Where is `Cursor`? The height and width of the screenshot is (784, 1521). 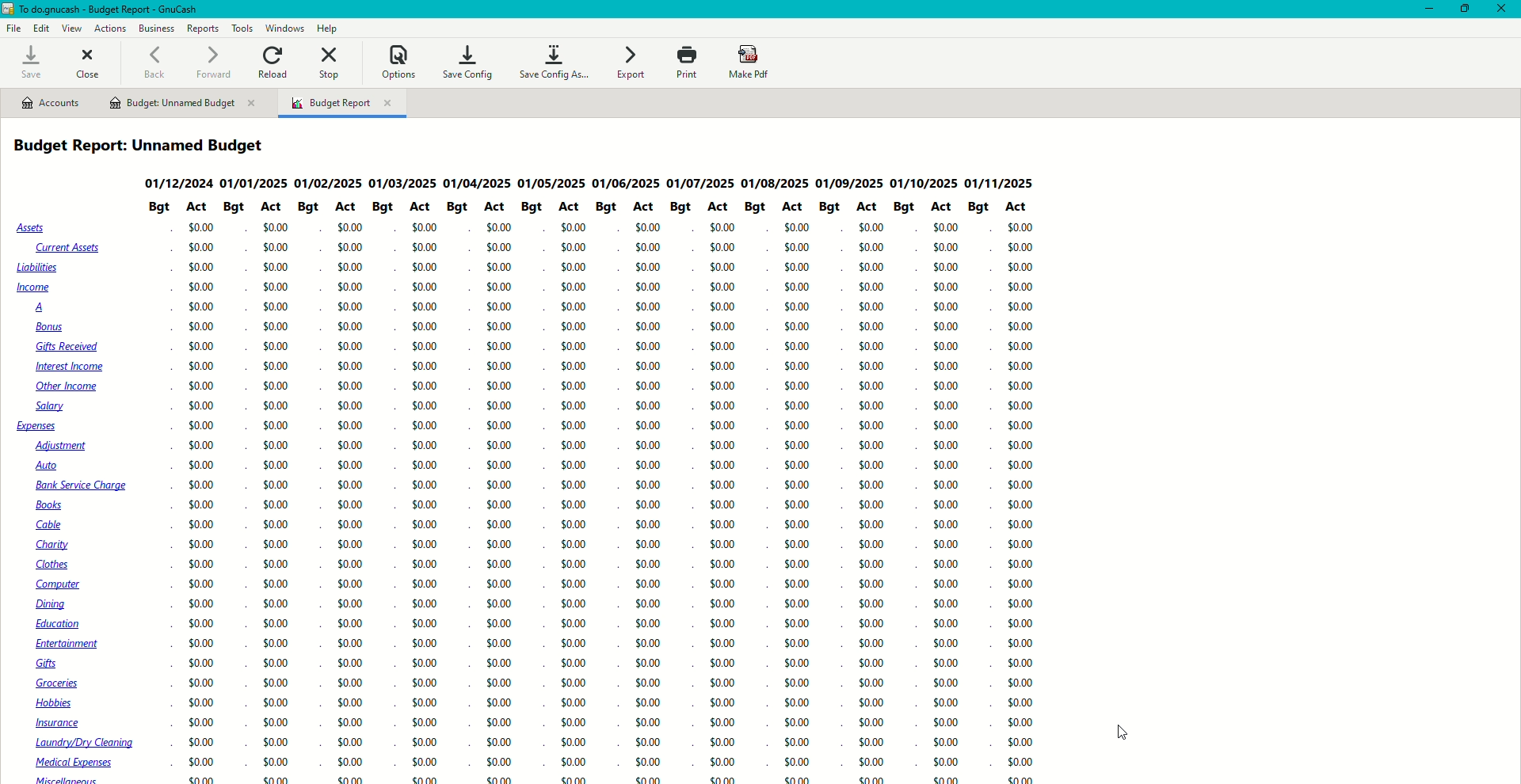 Cursor is located at coordinates (1119, 733).